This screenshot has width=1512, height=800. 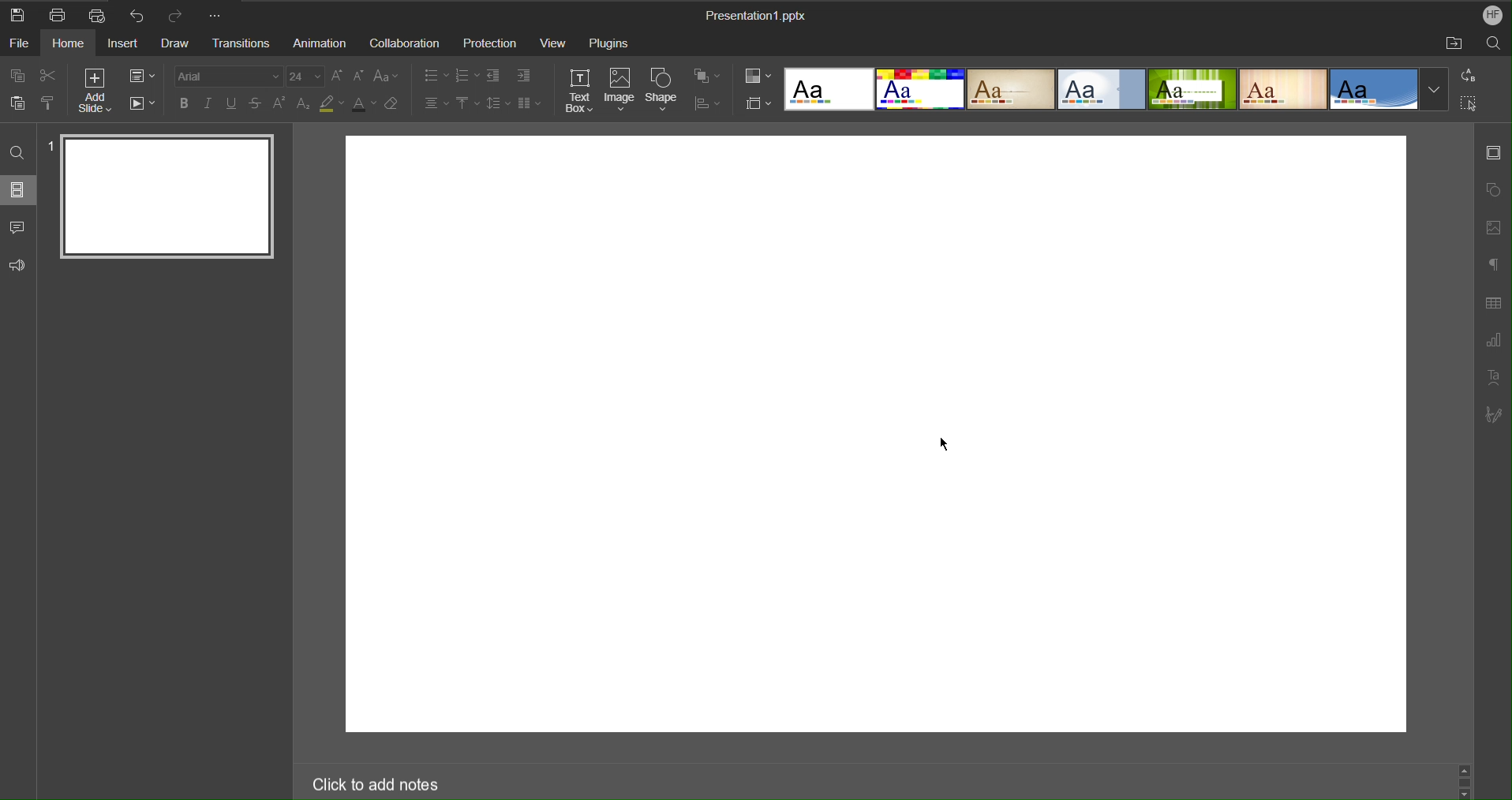 I want to click on Insert, so click(x=122, y=43).